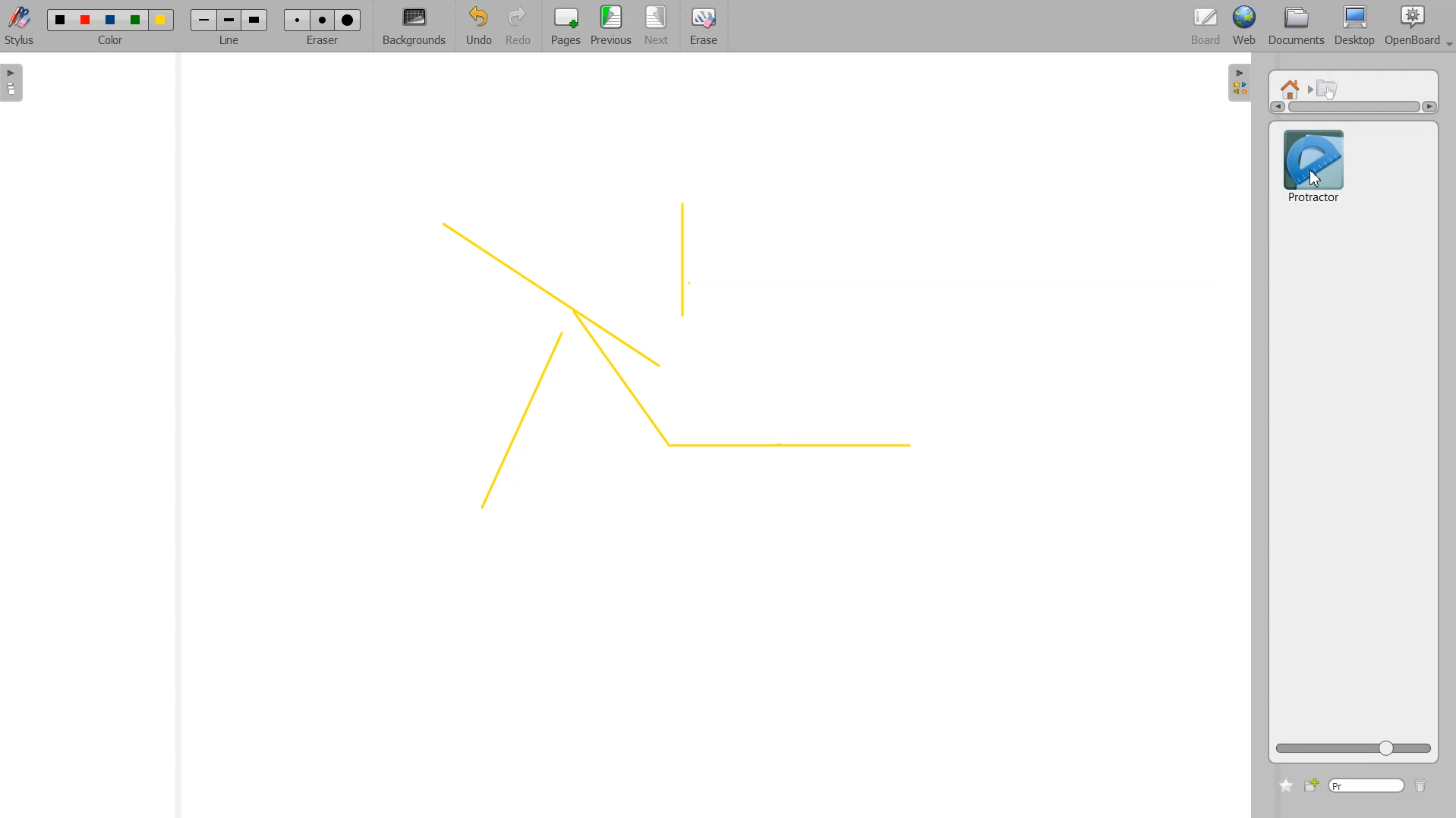 Image resolution: width=1456 pixels, height=818 pixels. Describe the element at coordinates (476, 27) in the screenshot. I see `Undo` at that location.